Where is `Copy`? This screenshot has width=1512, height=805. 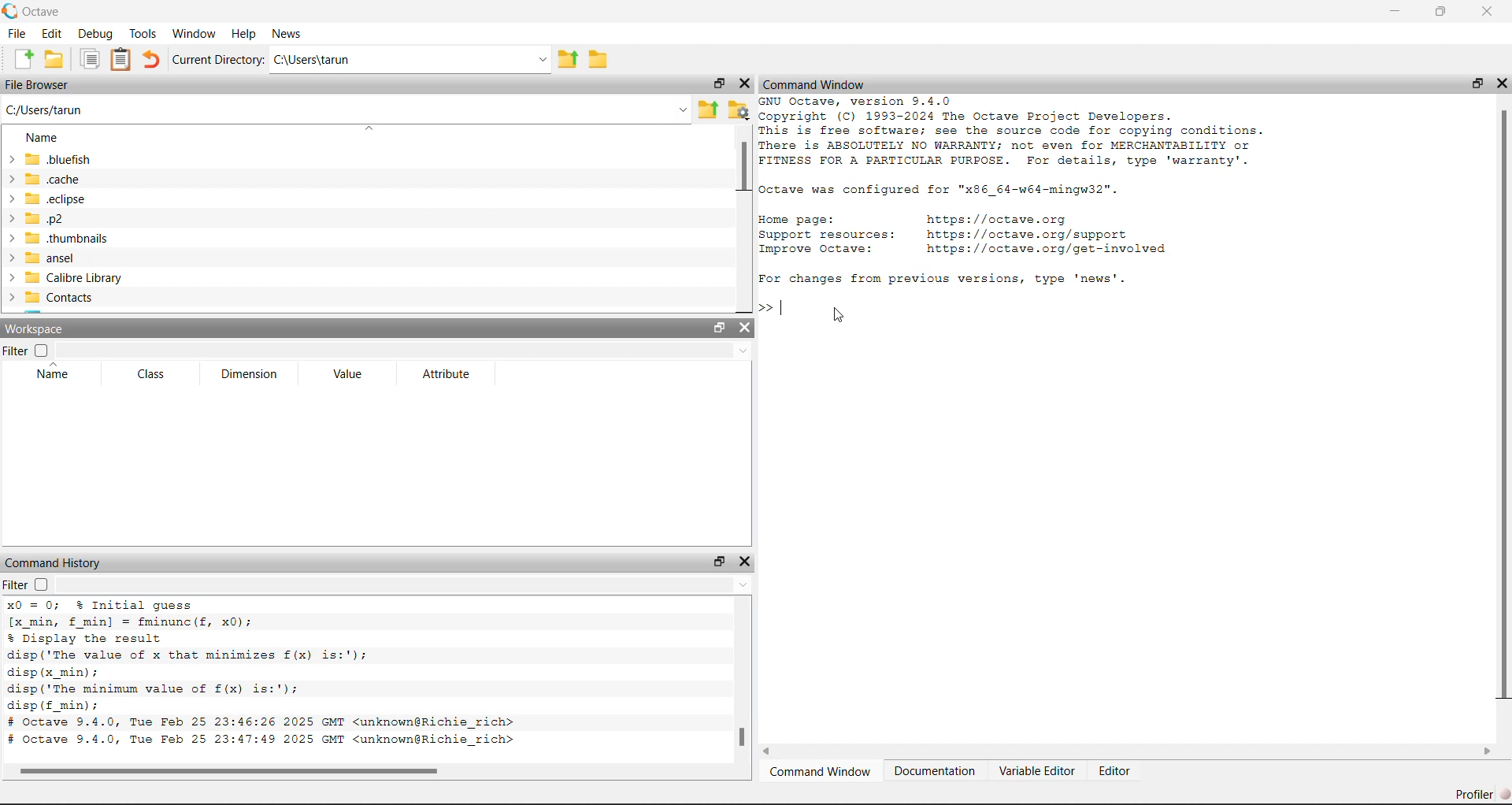
Copy is located at coordinates (91, 61).